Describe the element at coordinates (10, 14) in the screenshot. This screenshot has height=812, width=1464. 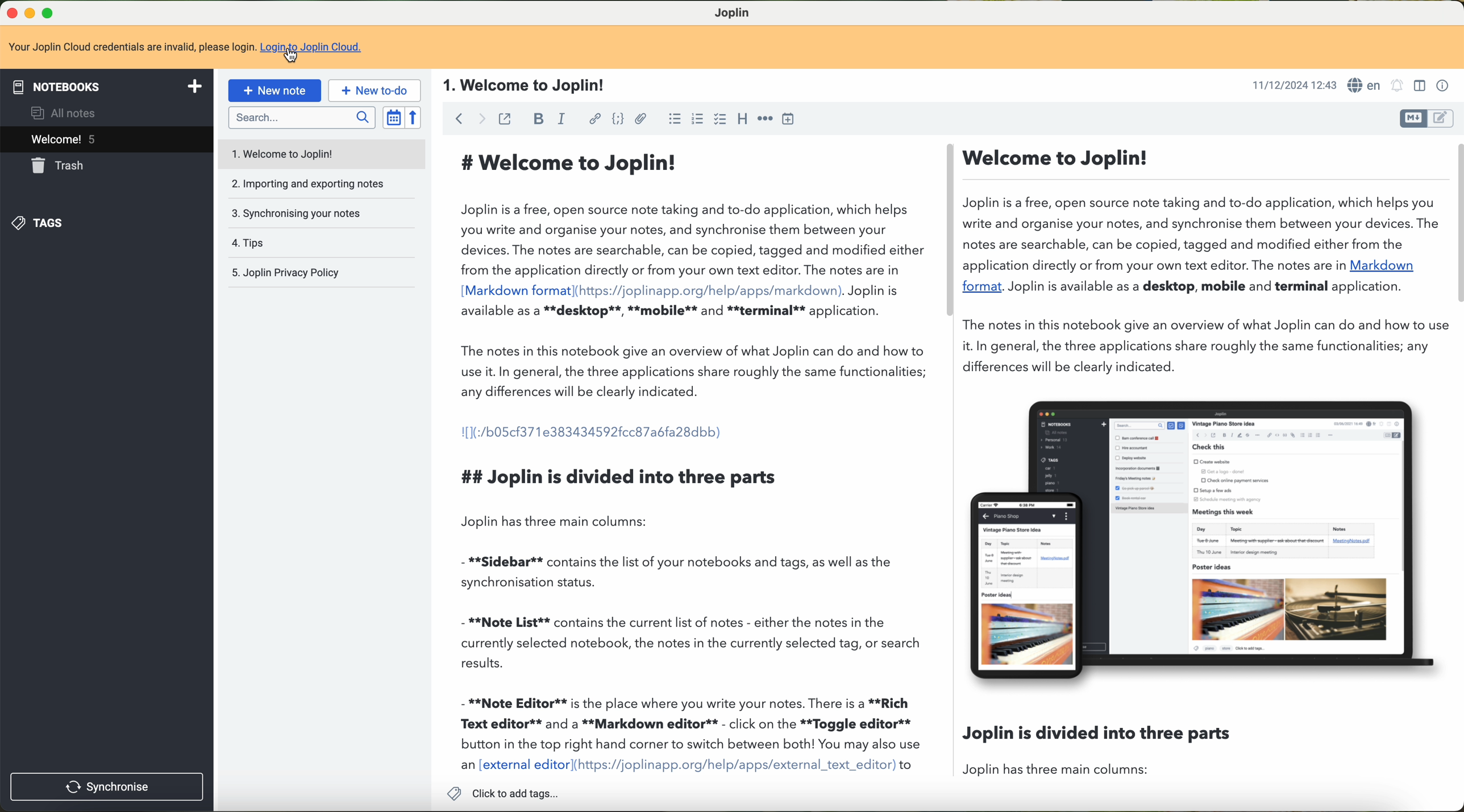
I see `close program` at that location.